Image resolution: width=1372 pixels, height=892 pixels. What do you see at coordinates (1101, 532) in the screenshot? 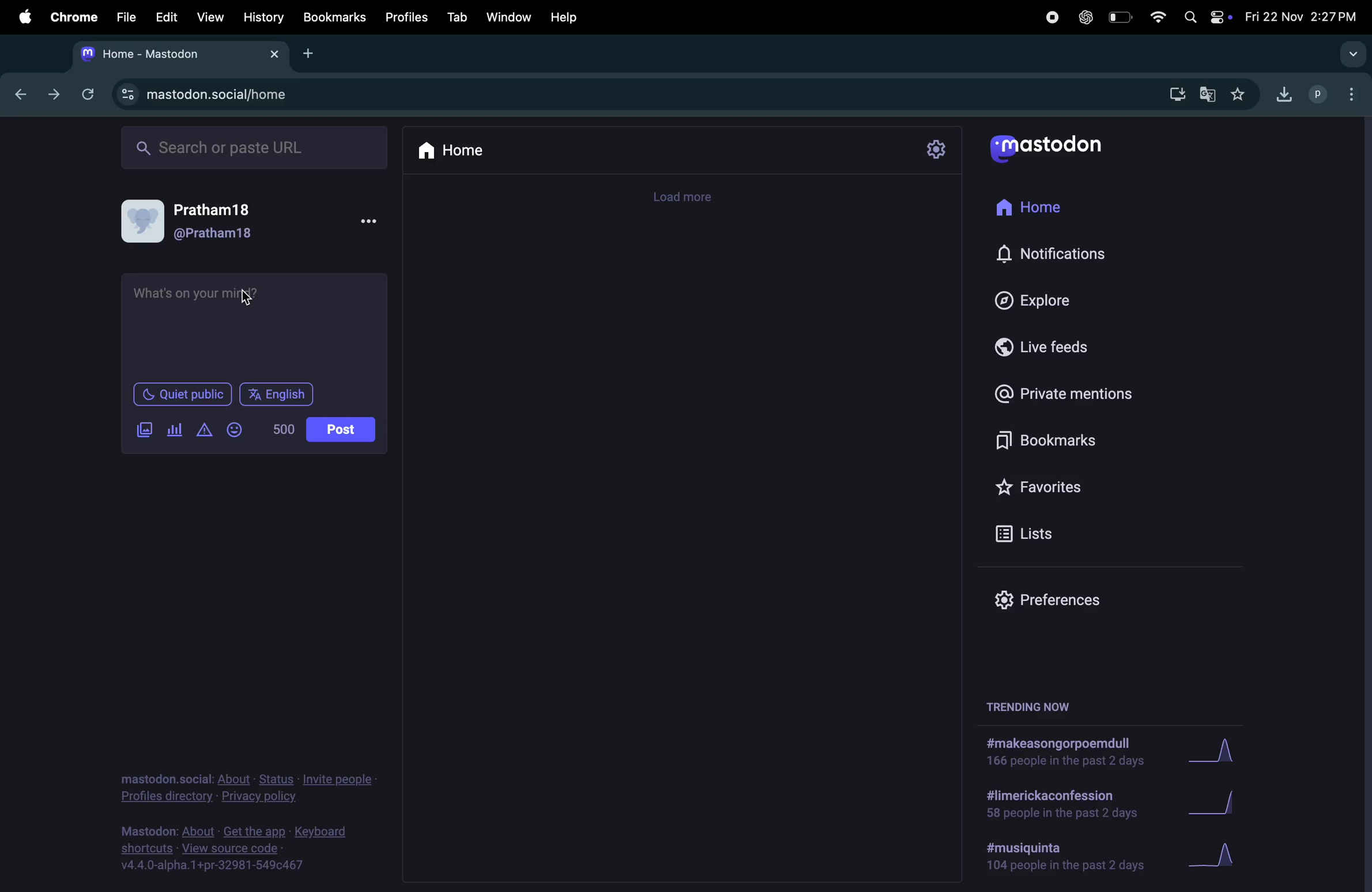
I see `lists` at bounding box center [1101, 532].